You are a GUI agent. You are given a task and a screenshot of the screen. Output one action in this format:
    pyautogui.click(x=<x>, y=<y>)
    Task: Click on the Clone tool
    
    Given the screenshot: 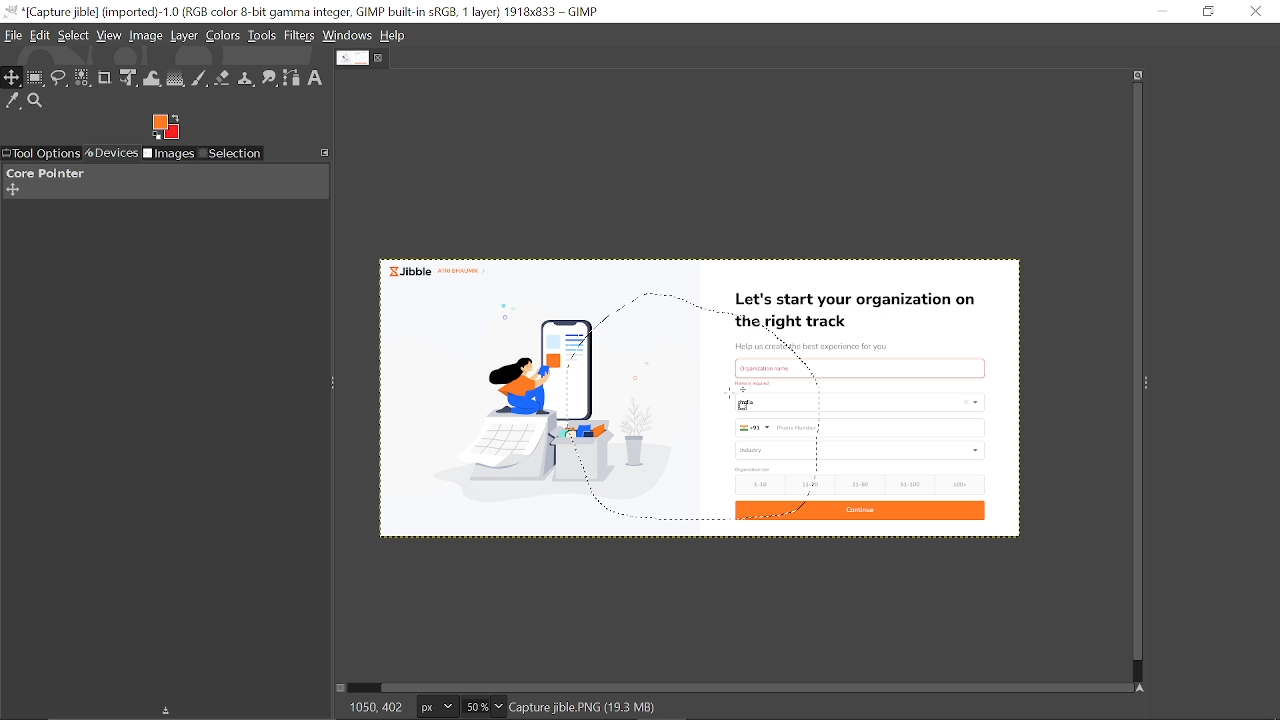 What is the action you would take?
    pyautogui.click(x=247, y=80)
    